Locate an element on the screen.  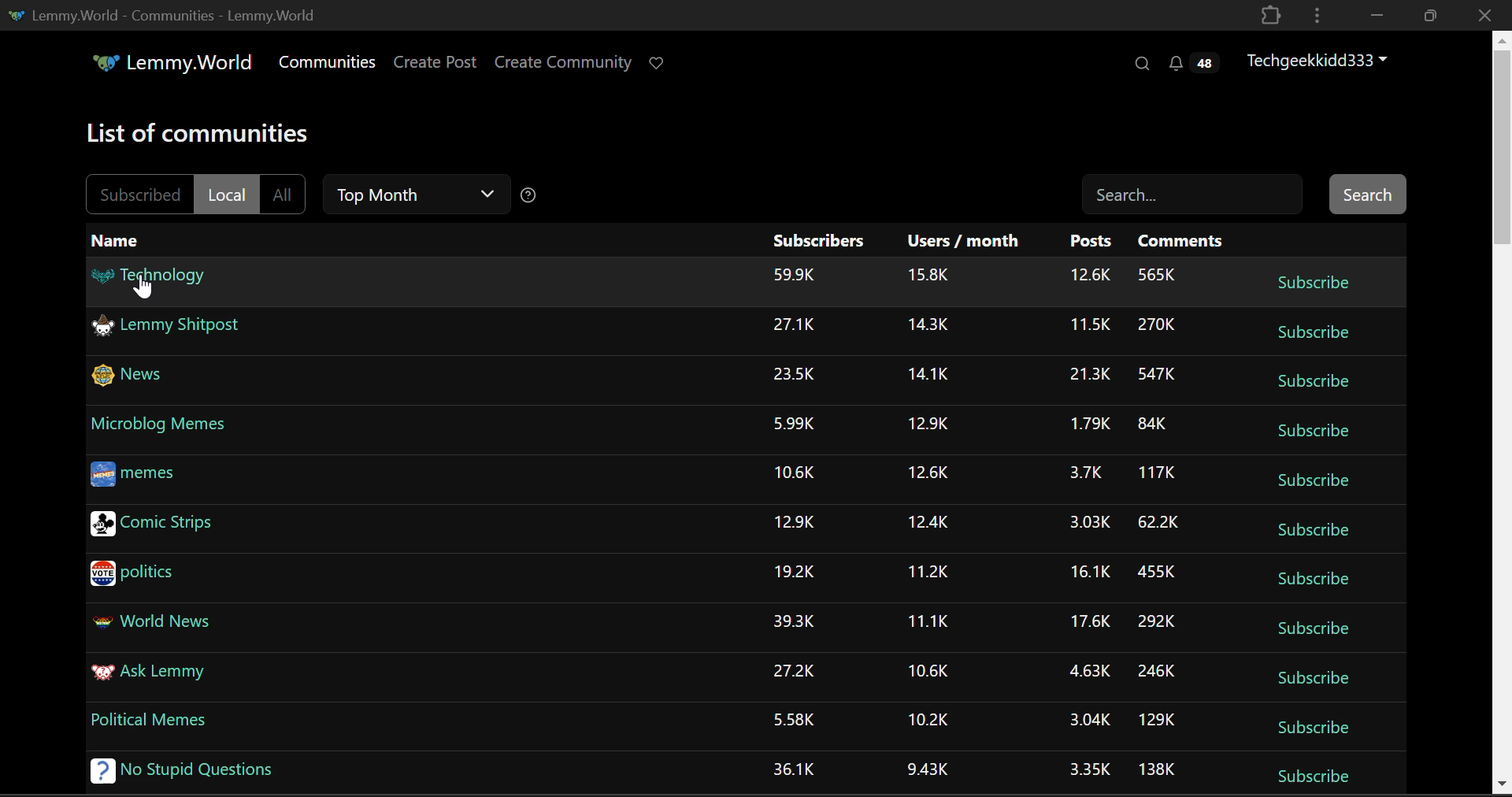
Amount is located at coordinates (1157, 622).